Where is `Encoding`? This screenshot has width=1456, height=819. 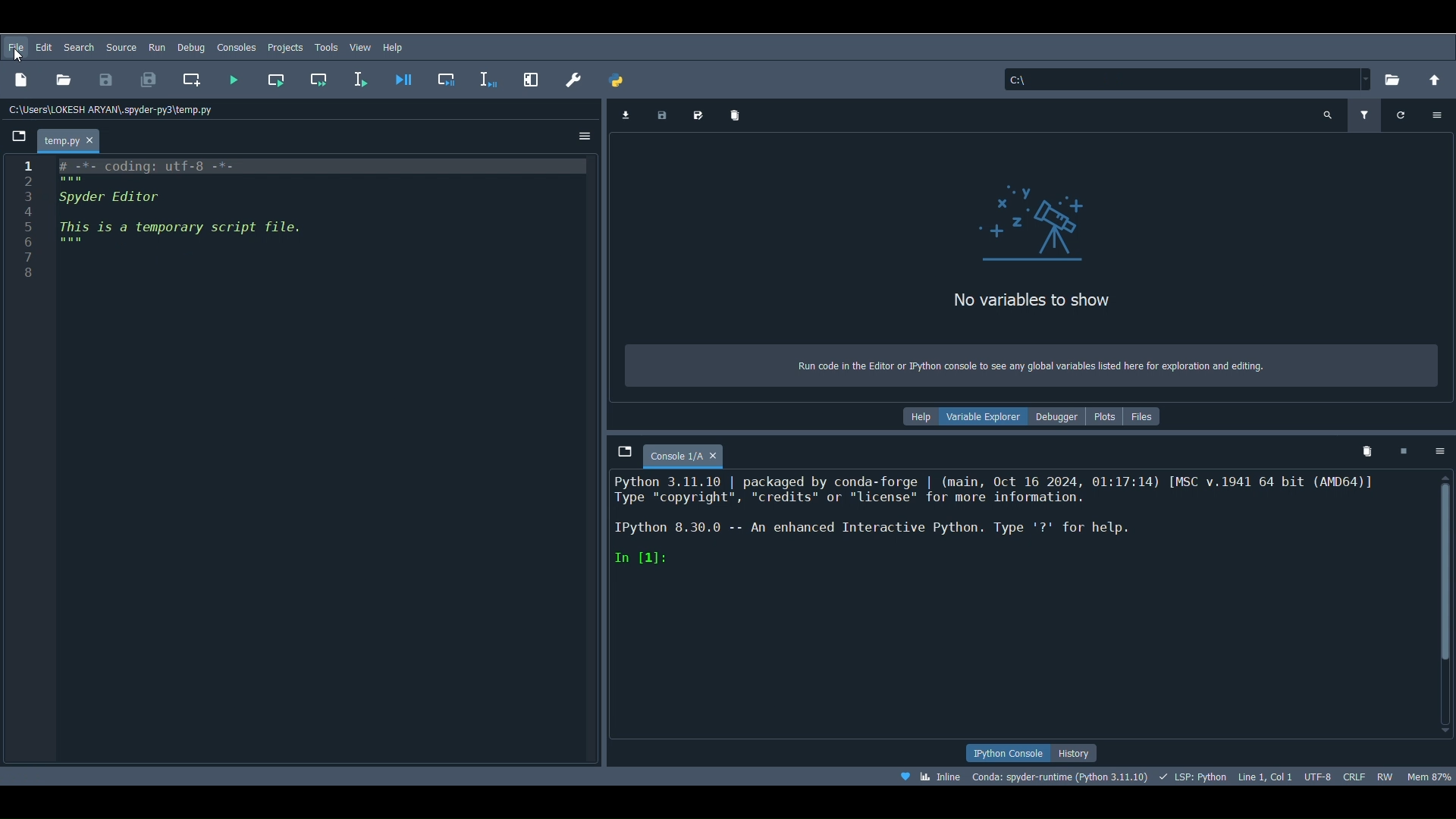
Encoding is located at coordinates (1320, 777).